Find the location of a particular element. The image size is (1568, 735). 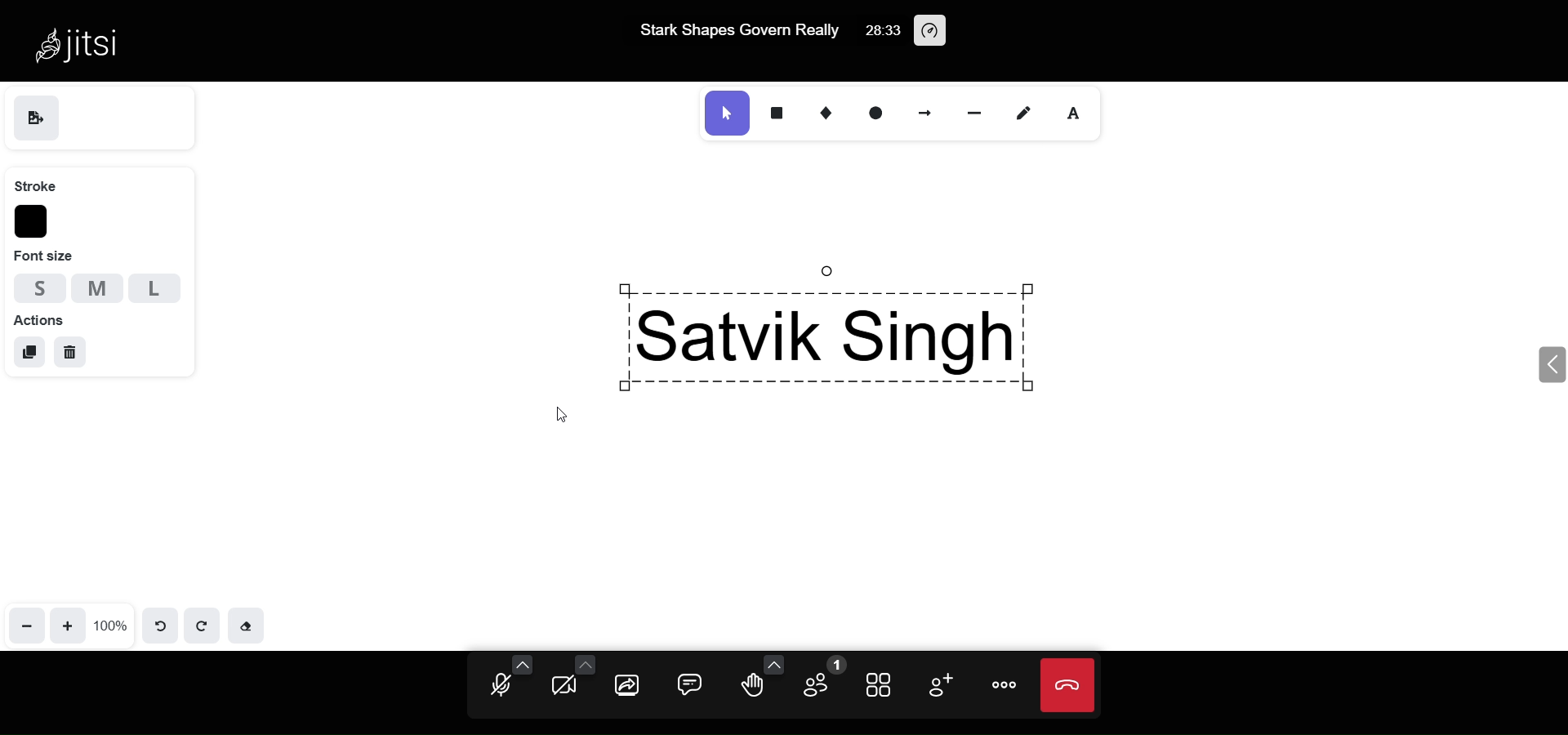

camera is located at coordinates (565, 687).